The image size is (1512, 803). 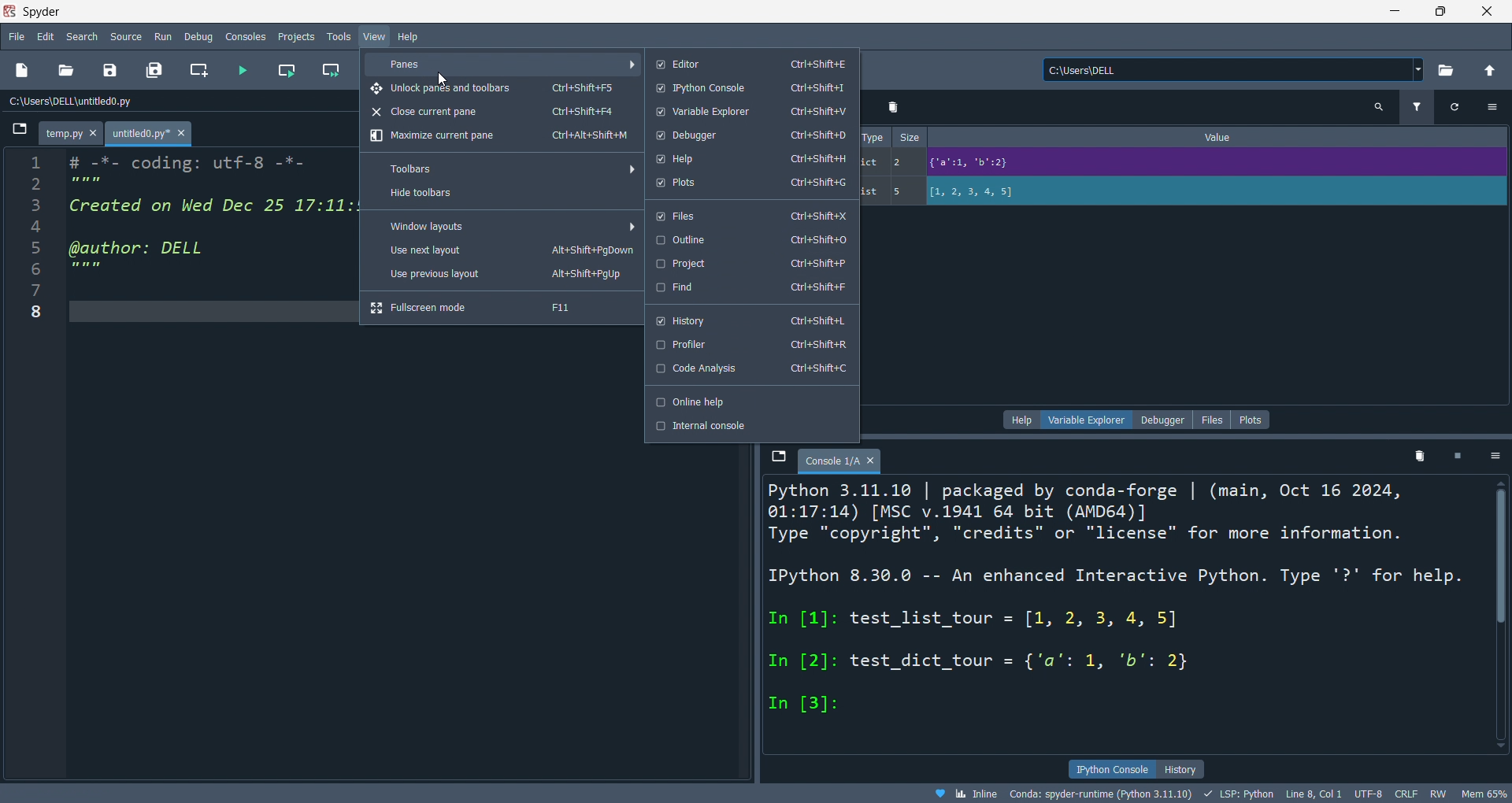 What do you see at coordinates (751, 112) in the screenshot?
I see `variable explorer` at bounding box center [751, 112].